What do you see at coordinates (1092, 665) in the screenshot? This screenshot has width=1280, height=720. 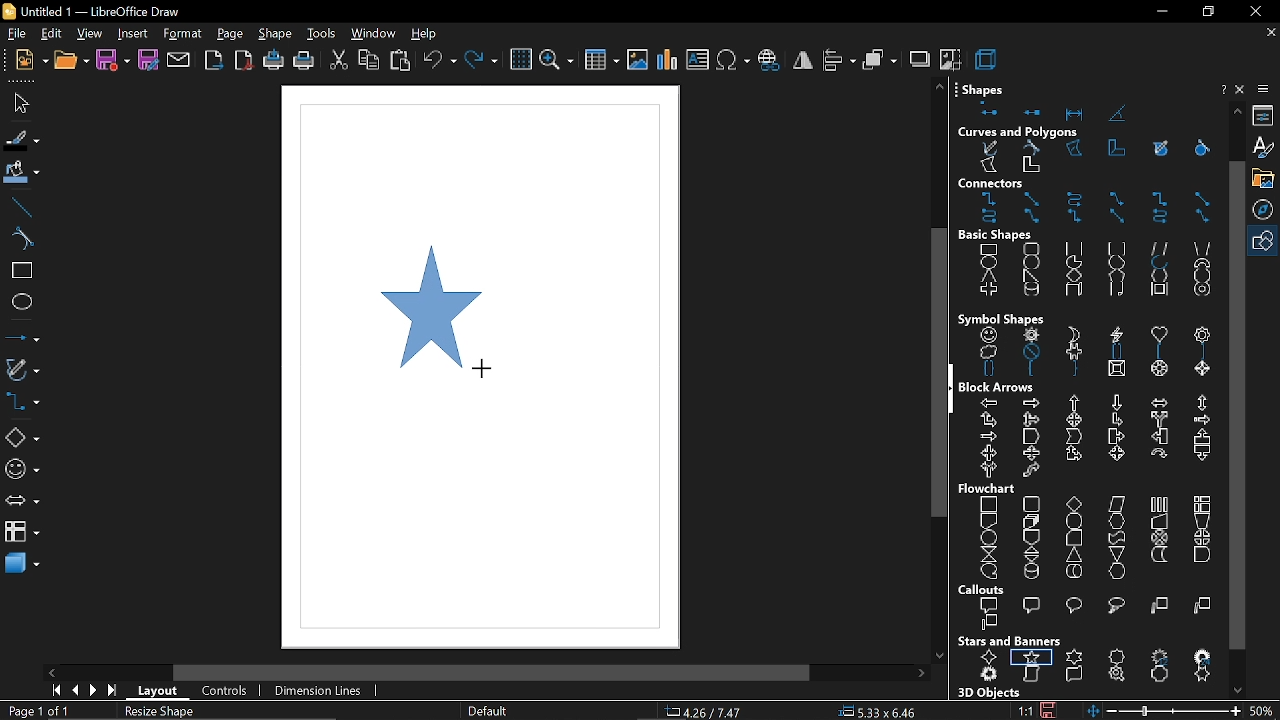 I see `stars and banners` at bounding box center [1092, 665].